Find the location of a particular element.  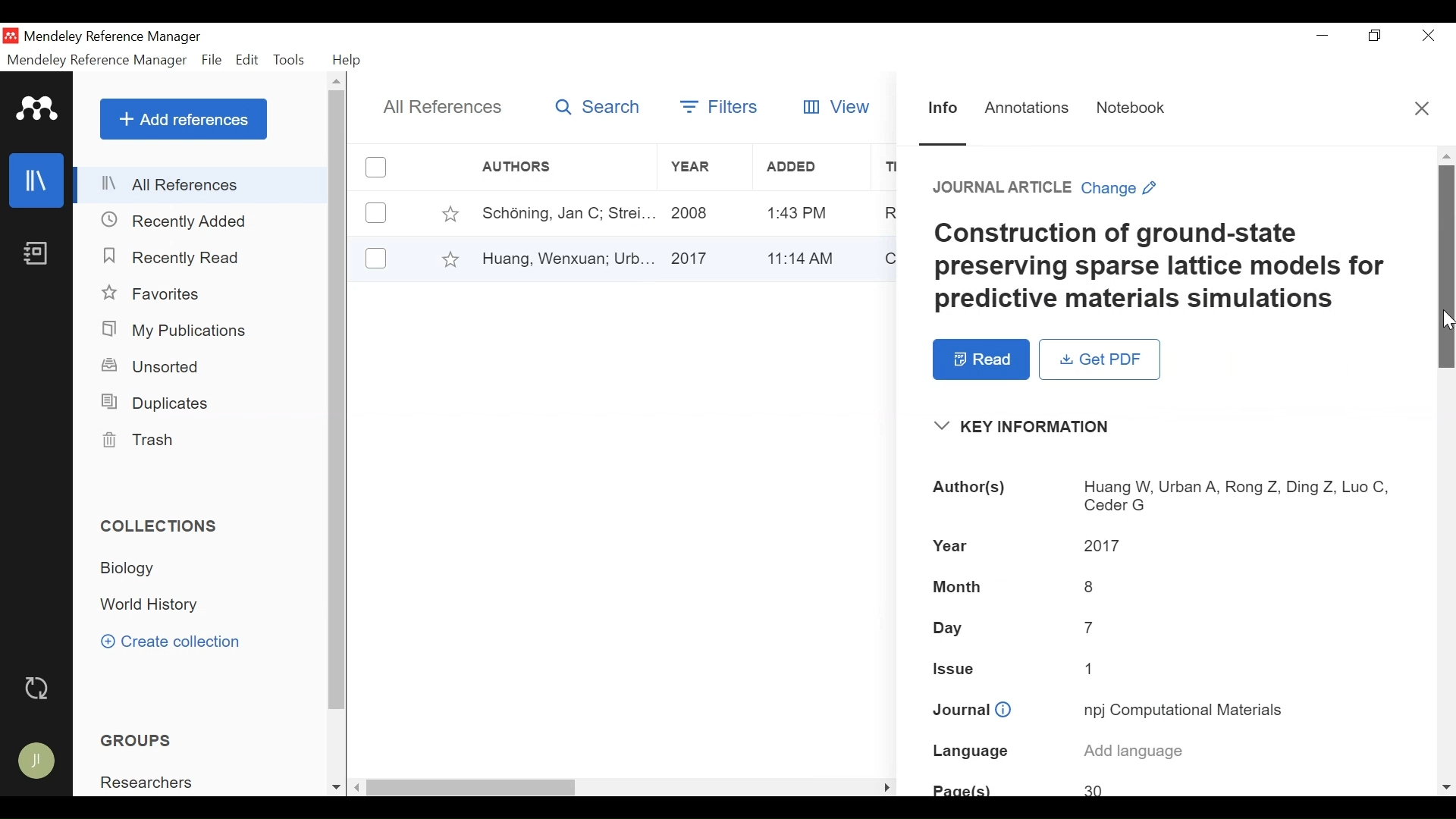

(un)select all is located at coordinates (376, 168).